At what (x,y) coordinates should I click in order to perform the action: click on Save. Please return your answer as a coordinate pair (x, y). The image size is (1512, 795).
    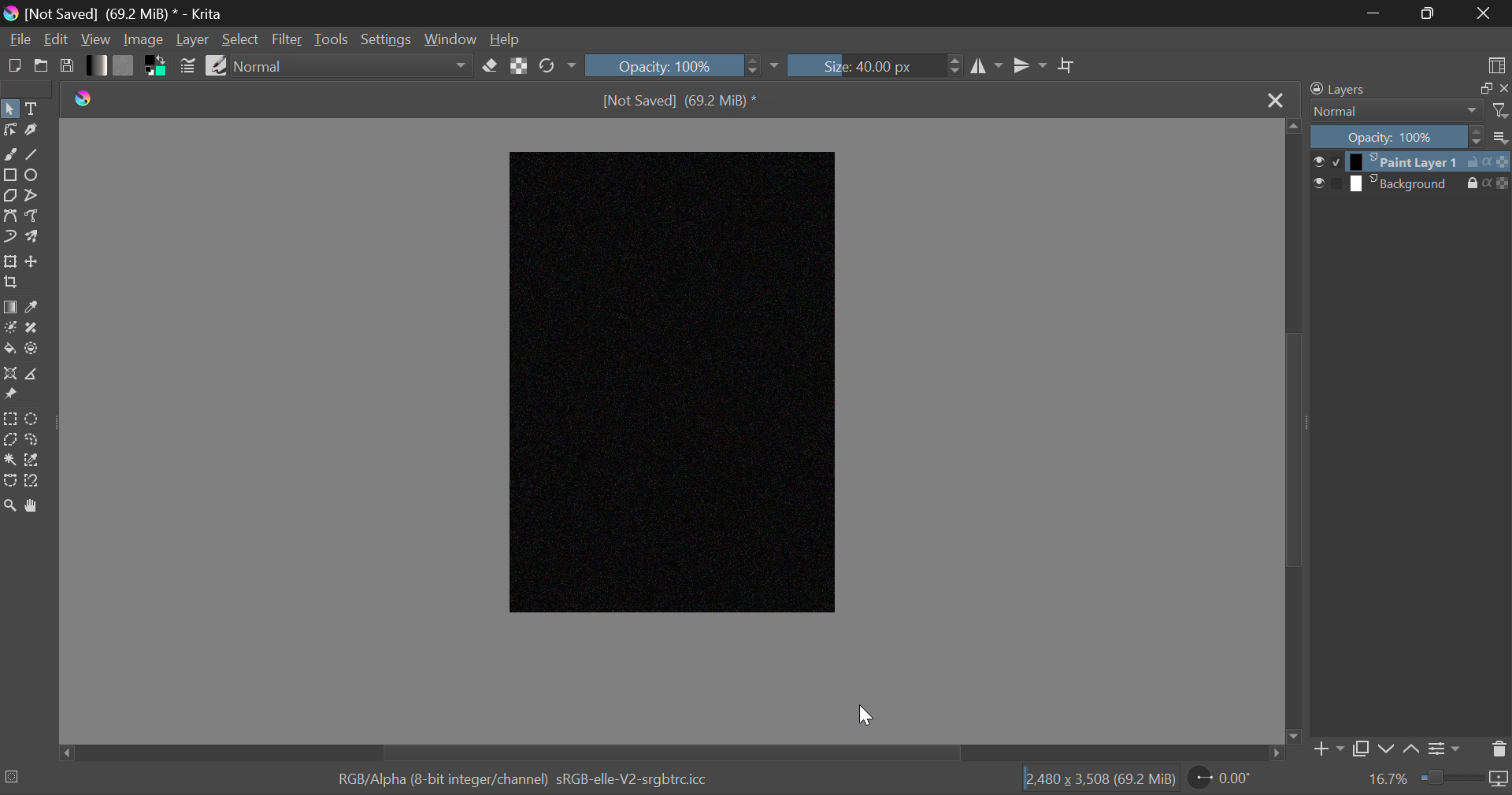
    Looking at the image, I should click on (68, 67).